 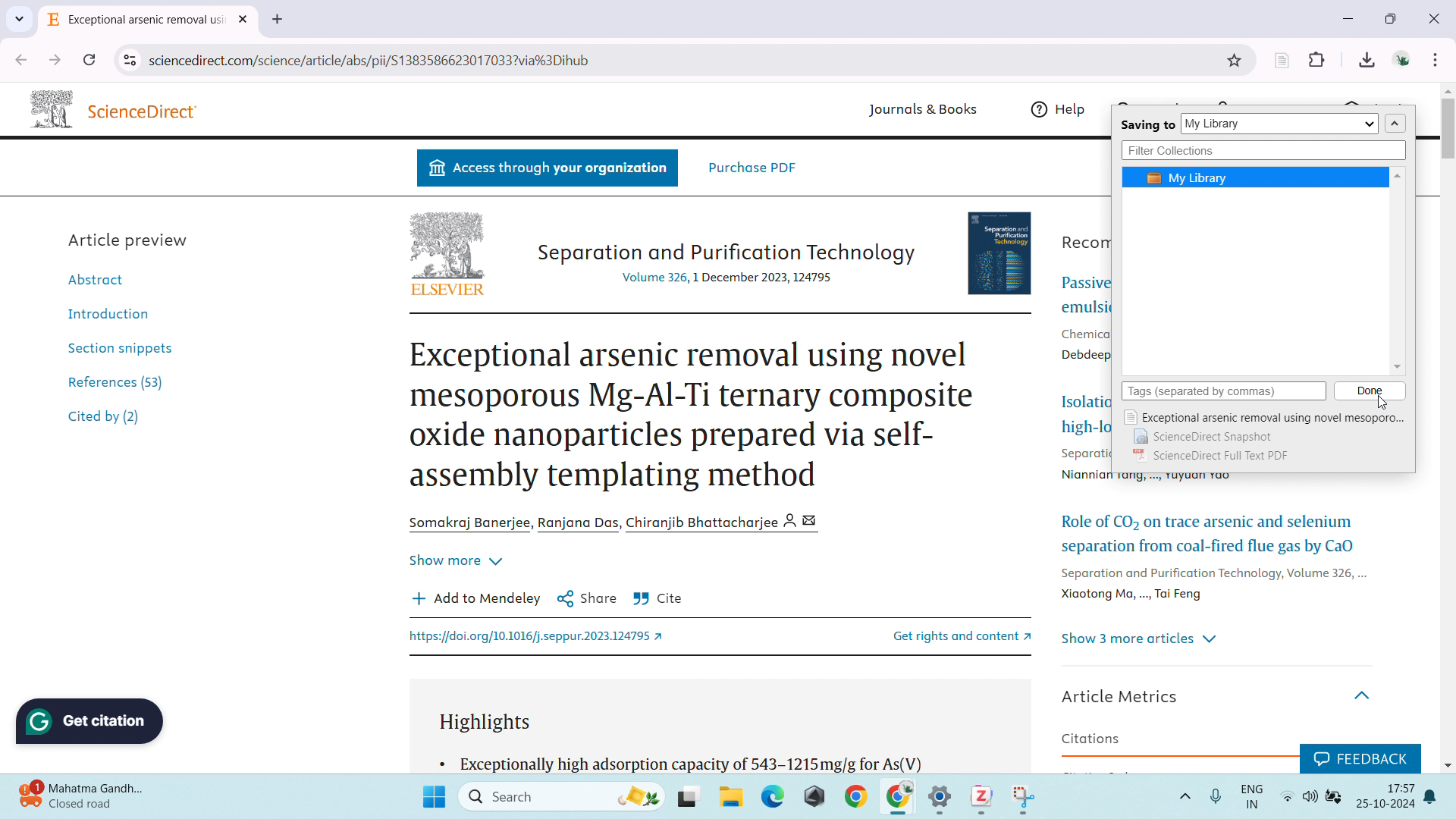 I want to click on Cite, so click(x=658, y=599).